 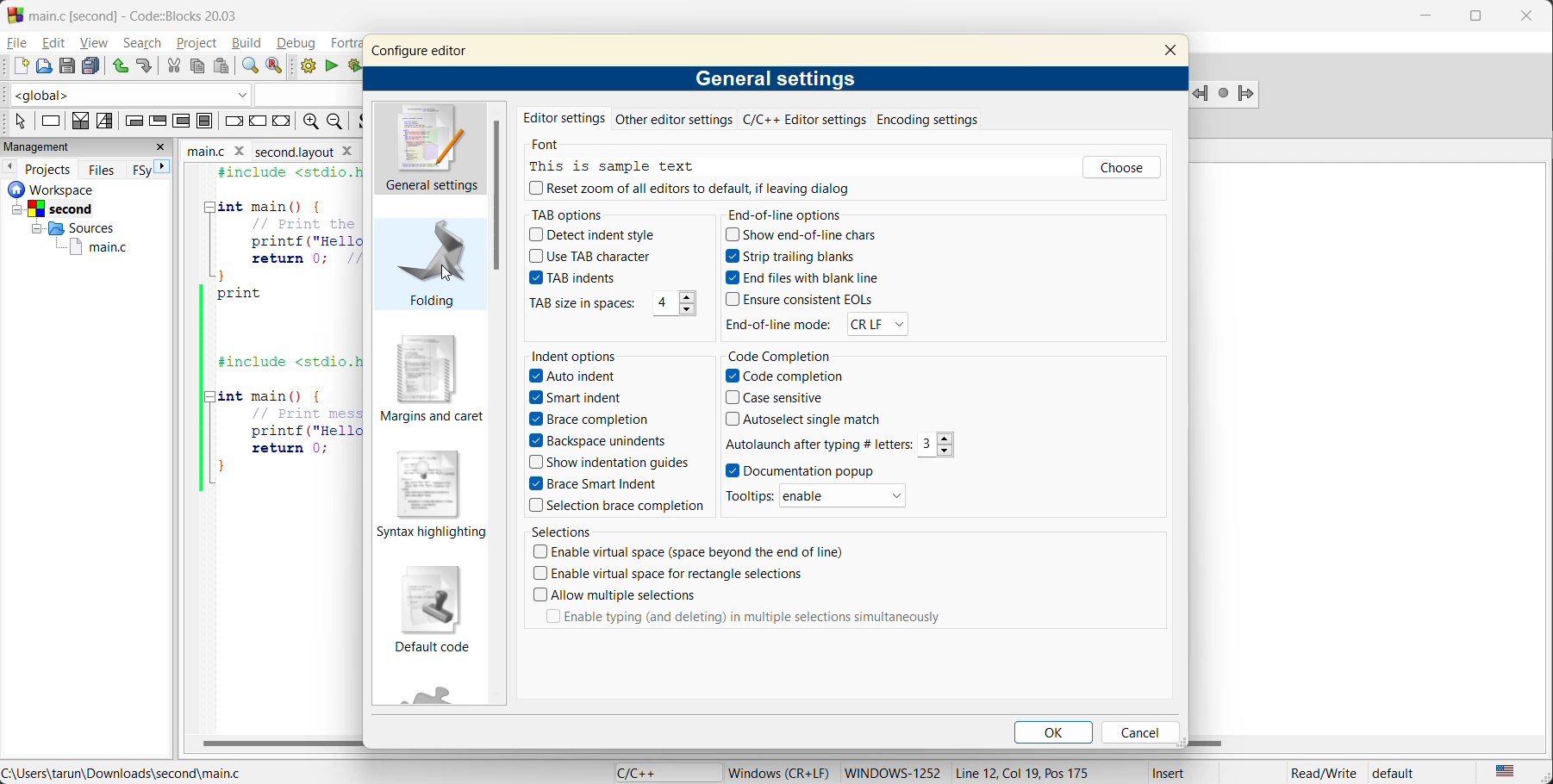 What do you see at coordinates (219, 149) in the screenshot?
I see `file name` at bounding box center [219, 149].